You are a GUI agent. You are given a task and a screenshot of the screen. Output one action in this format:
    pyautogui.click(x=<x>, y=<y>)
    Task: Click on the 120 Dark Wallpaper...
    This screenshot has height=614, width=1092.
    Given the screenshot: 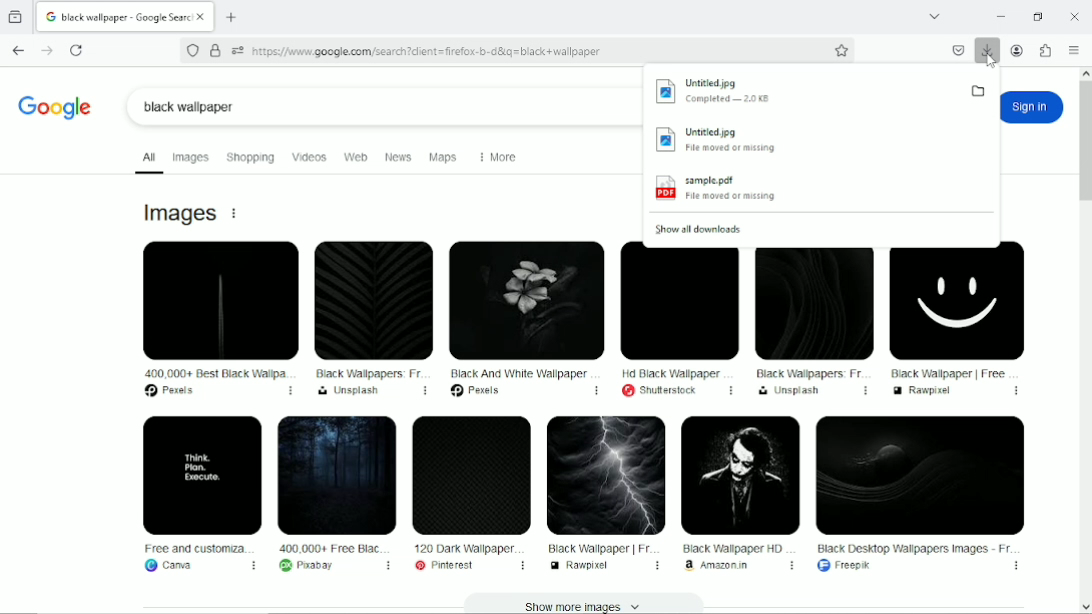 What is the action you would take?
    pyautogui.click(x=470, y=494)
    